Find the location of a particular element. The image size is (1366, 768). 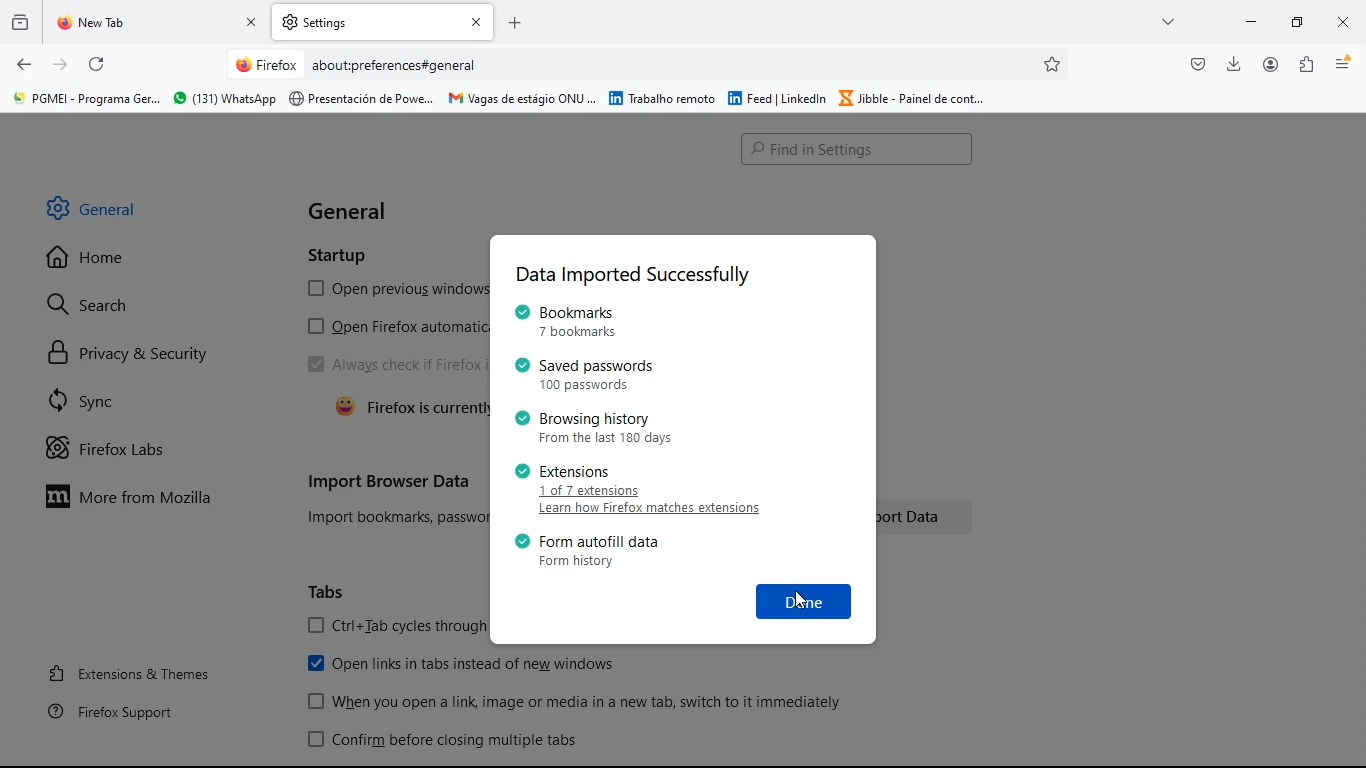

tab is located at coordinates (383, 22).